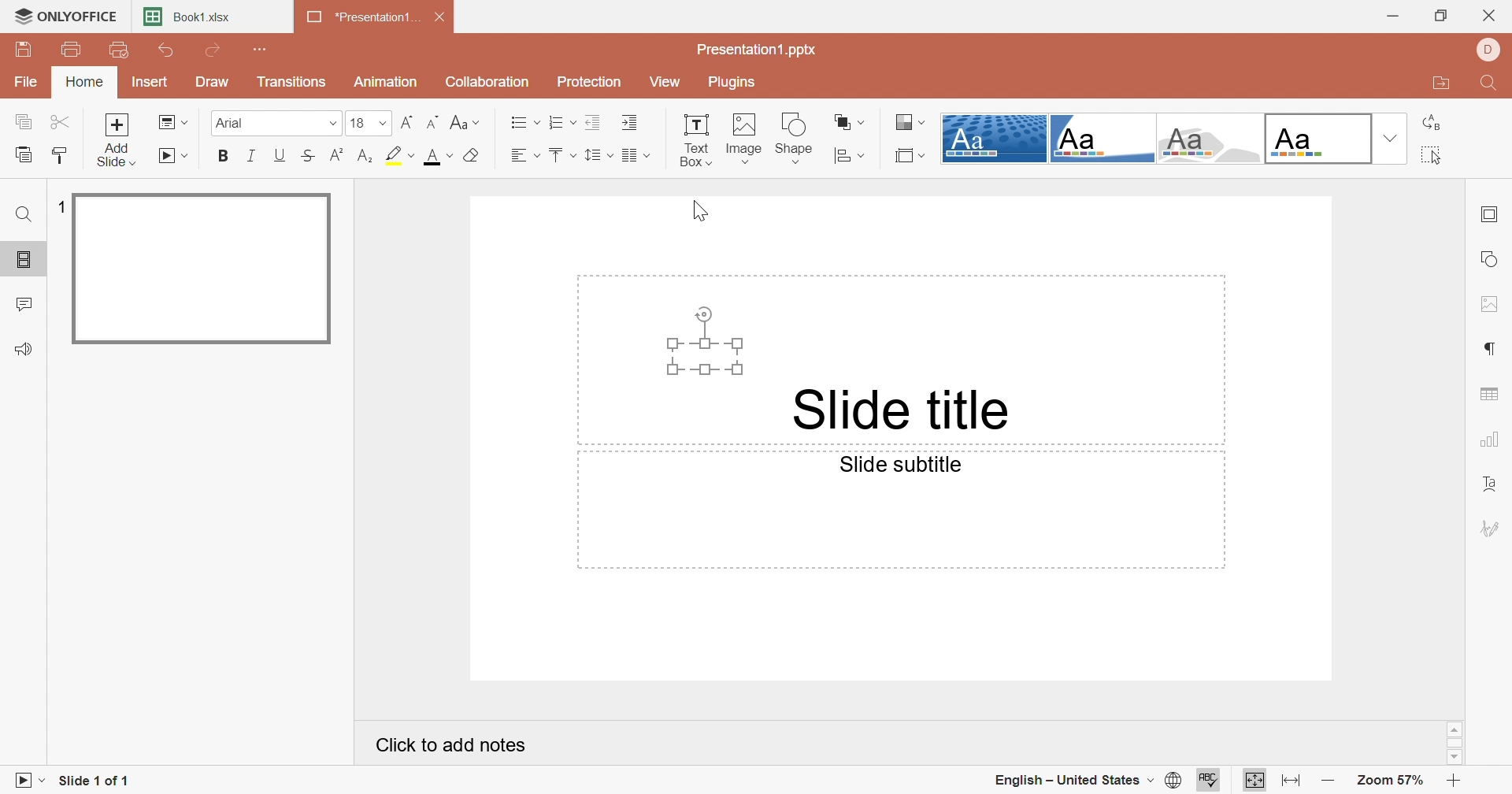 Image resolution: width=1512 pixels, height=794 pixels. Describe the element at coordinates (24, 122) in the screenshot. I see `Copy` at that location.